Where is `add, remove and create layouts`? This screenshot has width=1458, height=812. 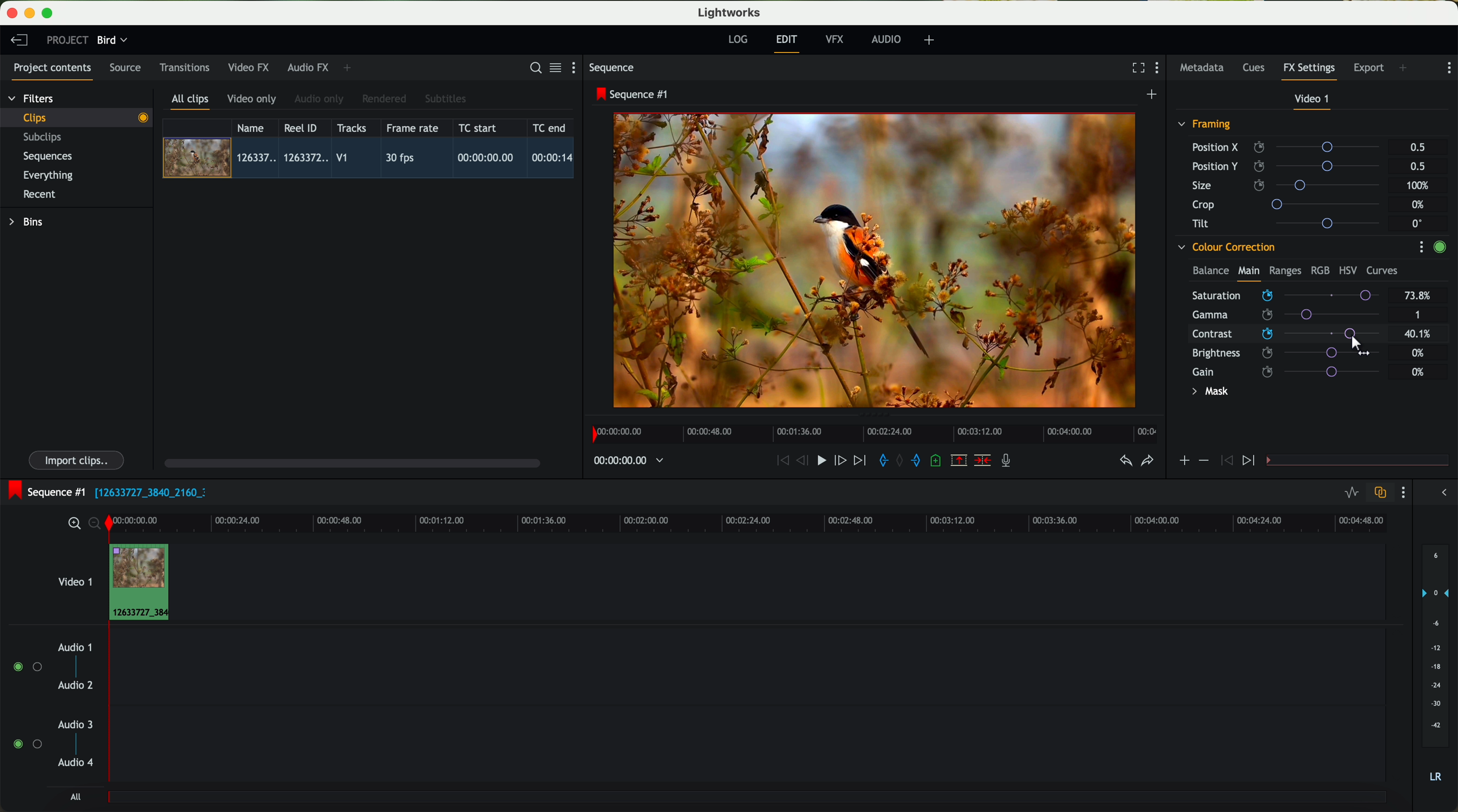
add, remove and create layouts is located at coordinates (931, 40).